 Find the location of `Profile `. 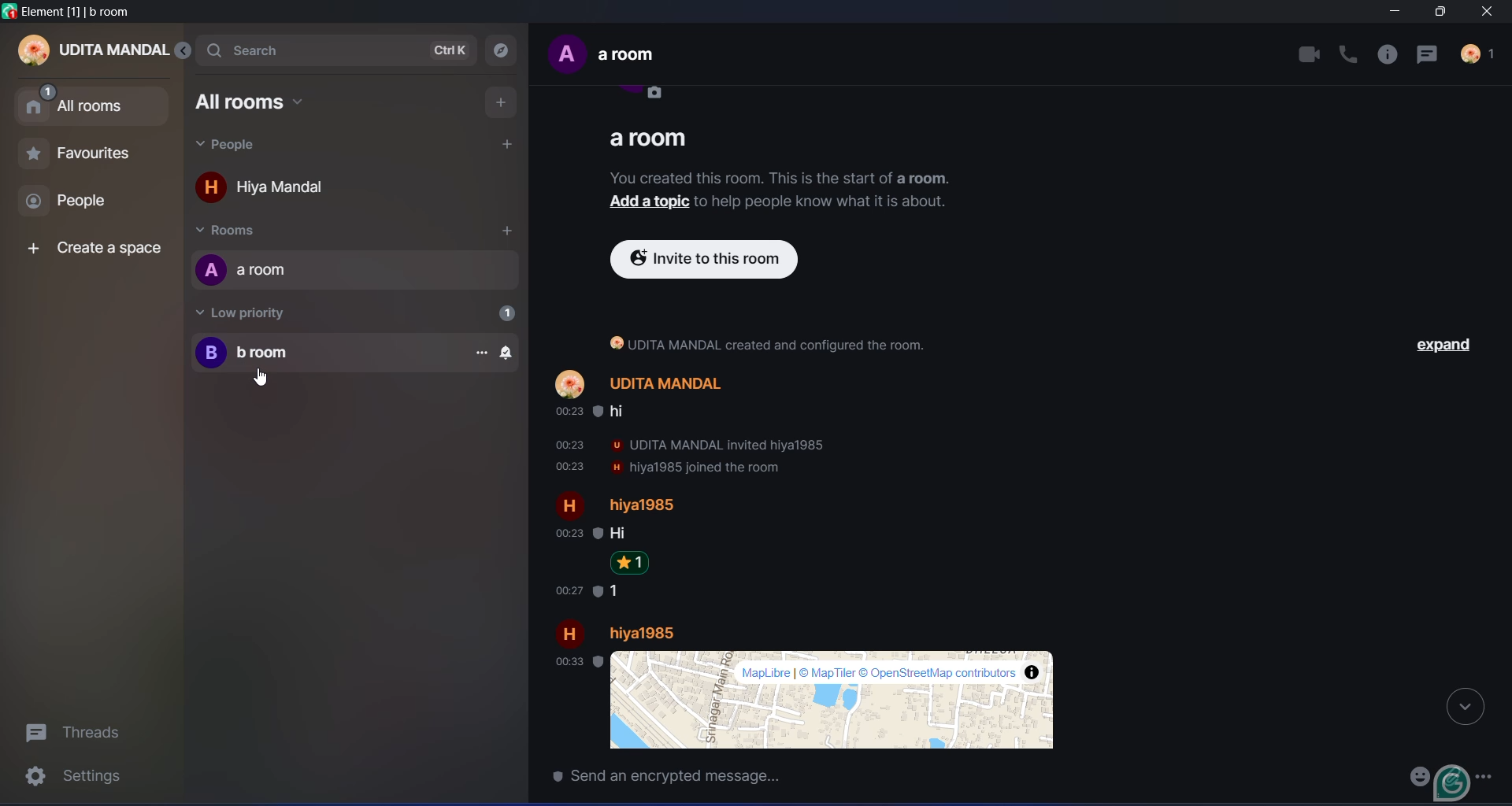

Profile  is located at coordinates (1480, 56).